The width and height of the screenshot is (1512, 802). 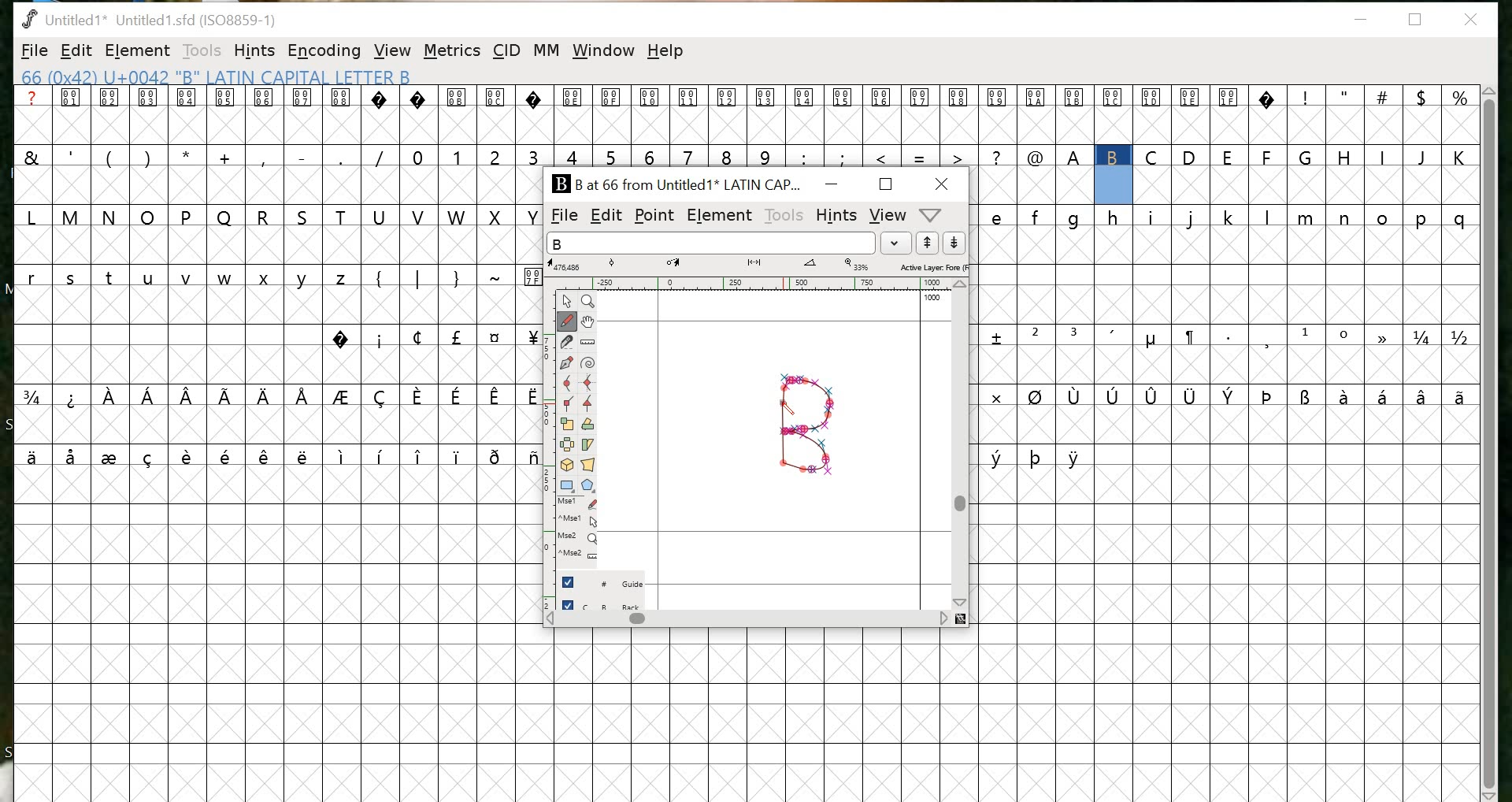 What do you see at coordinates (1010, 127) in the screenshot?
I see `glyphs` at bounding box center [1010, 127].